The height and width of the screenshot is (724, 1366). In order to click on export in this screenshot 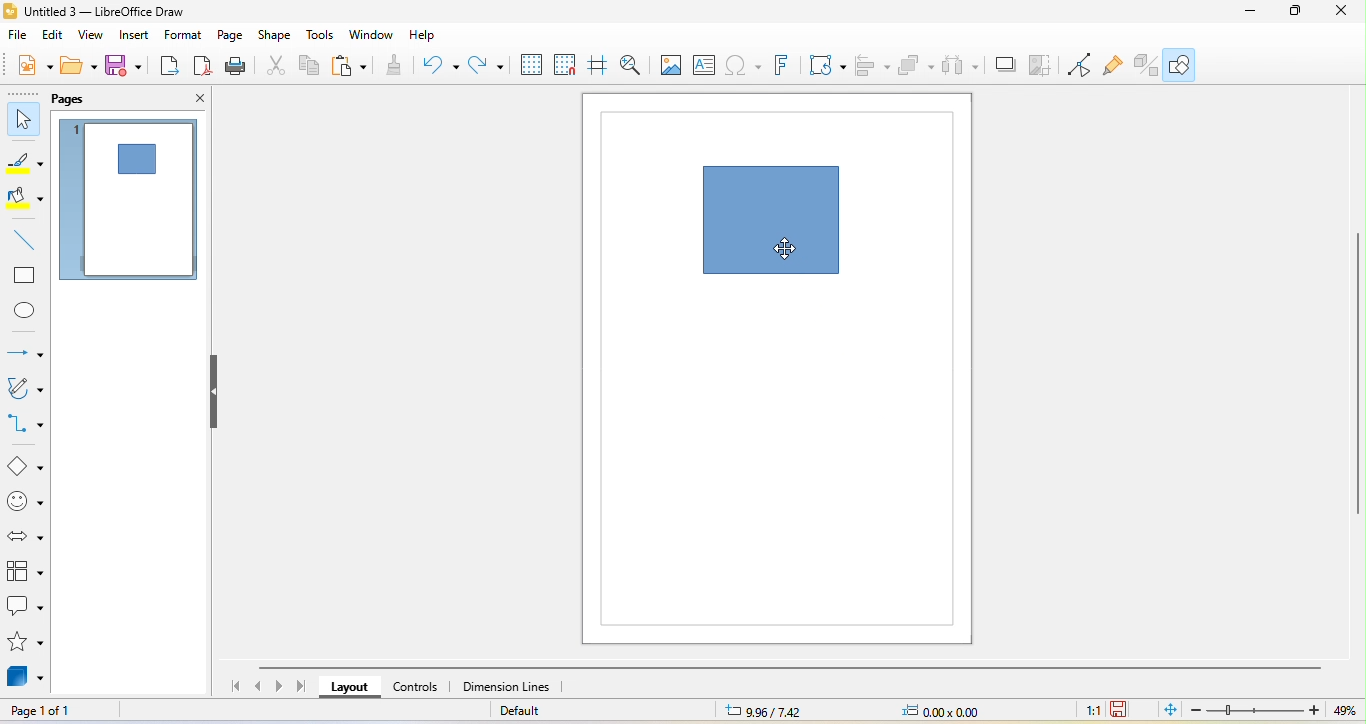, I will do `click(166, 68)`.